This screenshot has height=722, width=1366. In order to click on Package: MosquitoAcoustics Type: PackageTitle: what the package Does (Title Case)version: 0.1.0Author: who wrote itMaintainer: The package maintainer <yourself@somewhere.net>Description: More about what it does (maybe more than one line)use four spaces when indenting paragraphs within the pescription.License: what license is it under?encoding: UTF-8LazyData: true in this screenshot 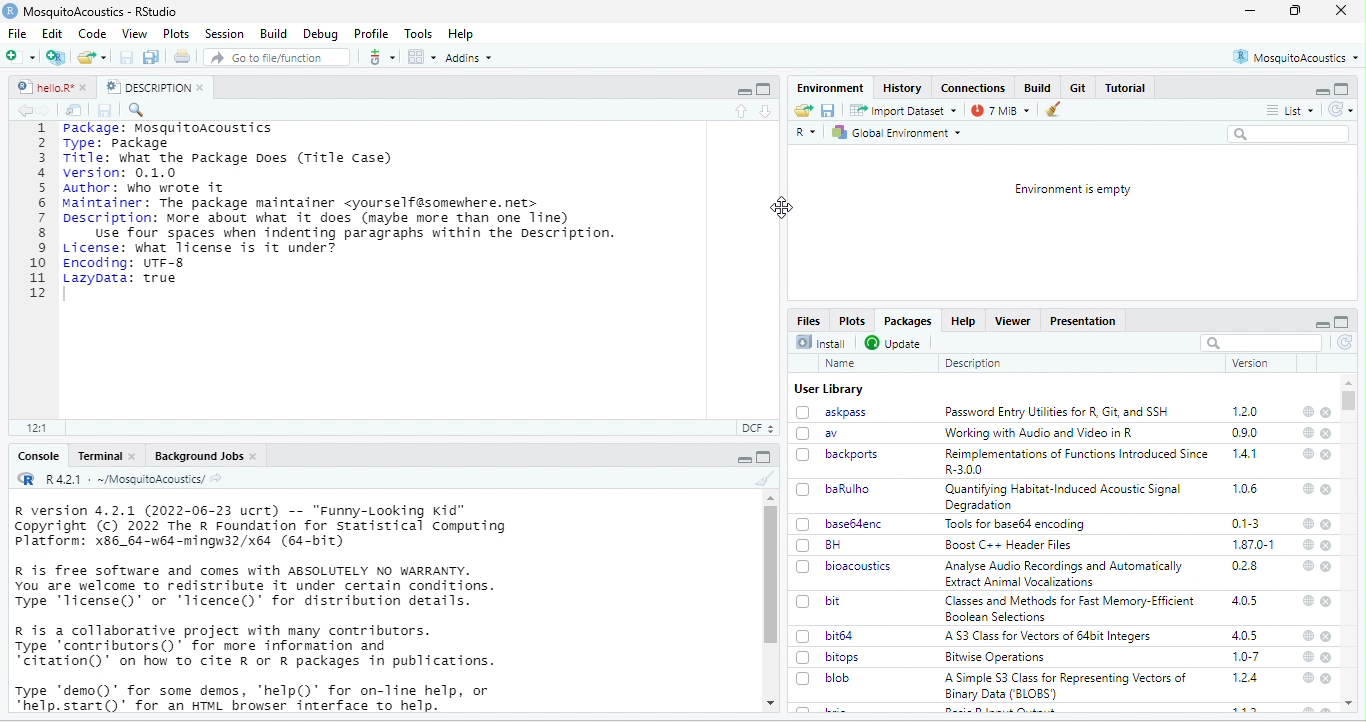, I will do `click(344, 204)`.